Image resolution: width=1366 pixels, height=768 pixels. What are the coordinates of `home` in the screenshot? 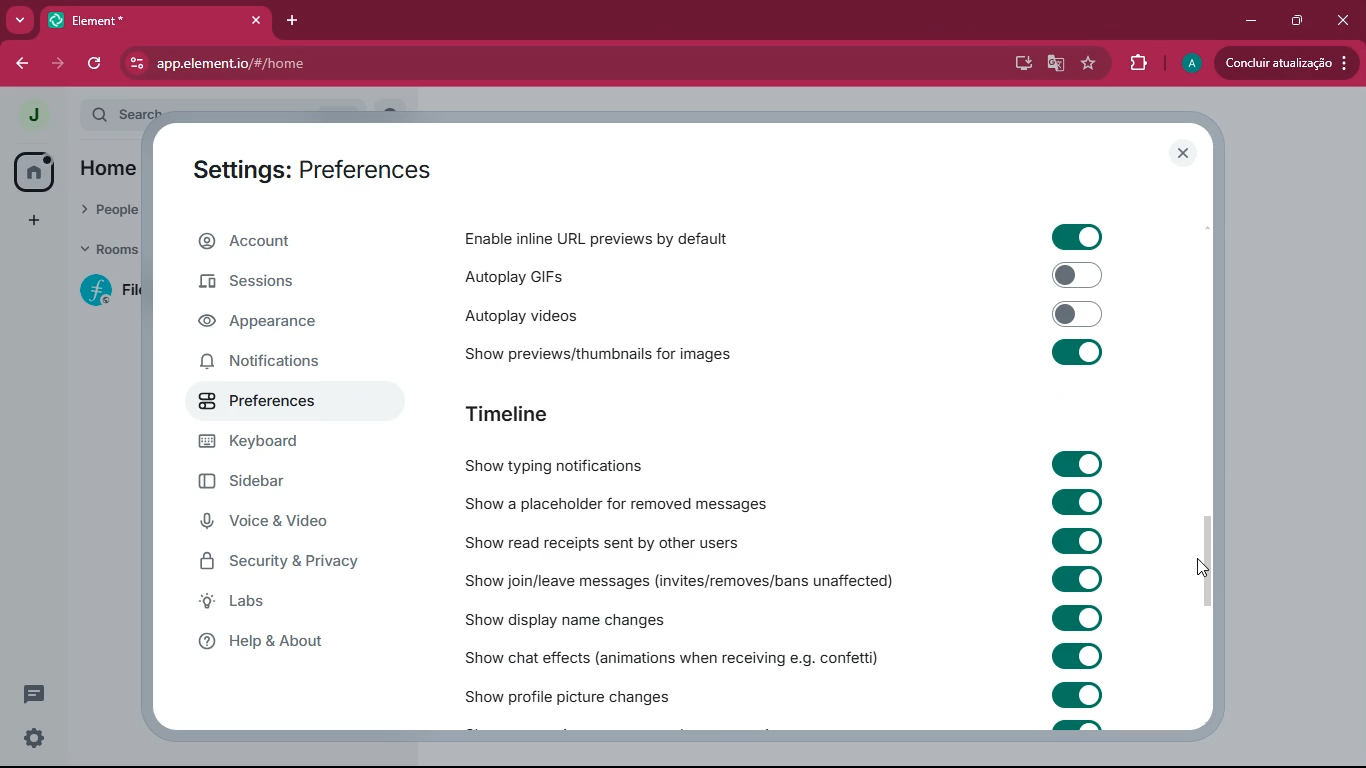 It's located at (36, 173).